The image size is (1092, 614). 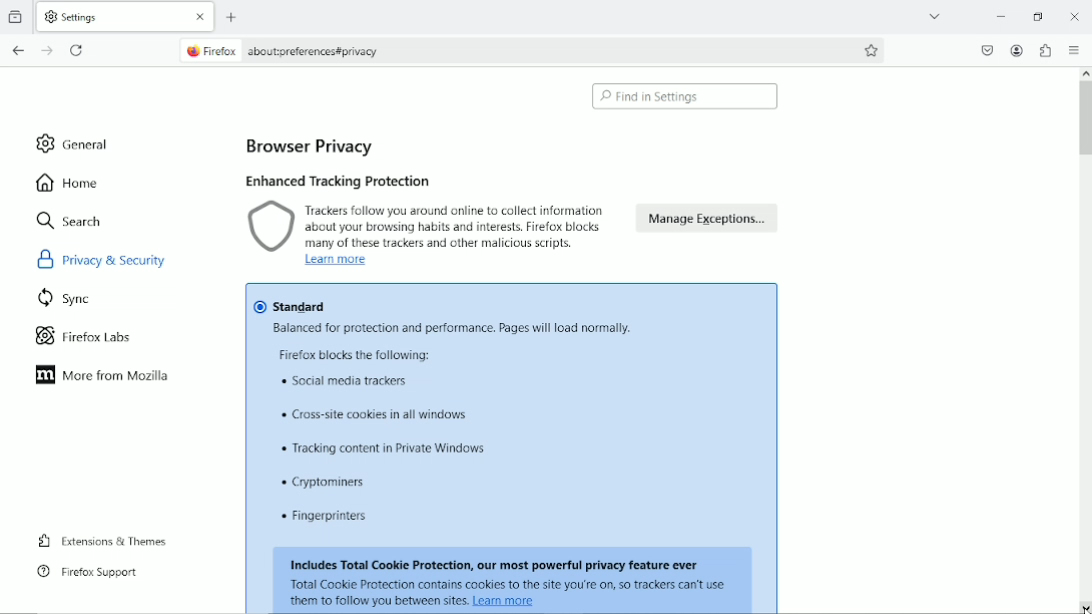 What do you see at coordinates (259, 307) in the screenshot?
I see `checkbox` at bounding box center [259, 307].